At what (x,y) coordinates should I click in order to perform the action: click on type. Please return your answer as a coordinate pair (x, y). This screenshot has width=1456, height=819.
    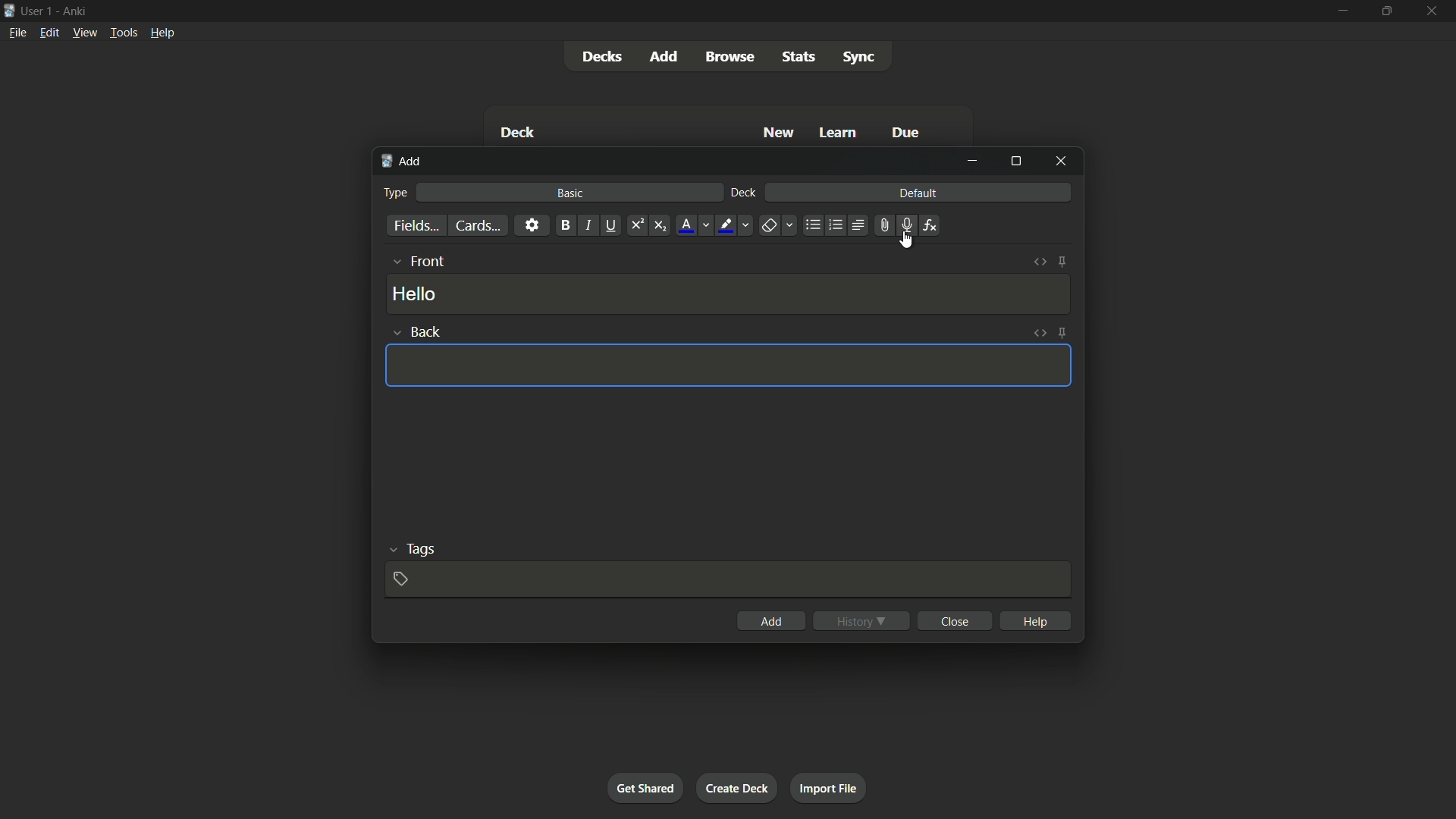
    Looking at the image, I should click on (396, 193).